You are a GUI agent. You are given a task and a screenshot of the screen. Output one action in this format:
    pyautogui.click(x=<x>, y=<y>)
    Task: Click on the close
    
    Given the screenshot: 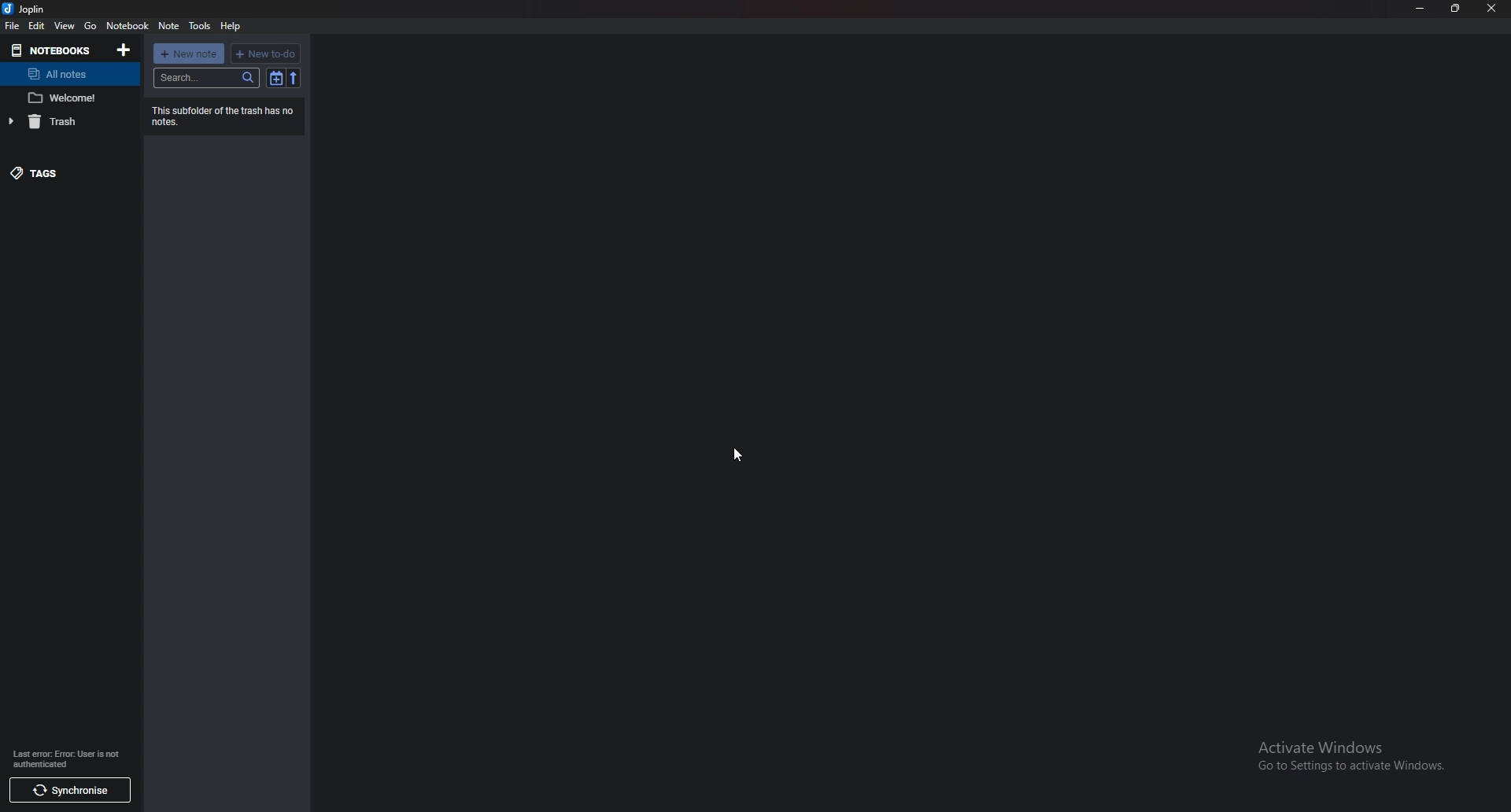 What is the action you would take?
    pyautogui.click(x=1494, y=8)
    